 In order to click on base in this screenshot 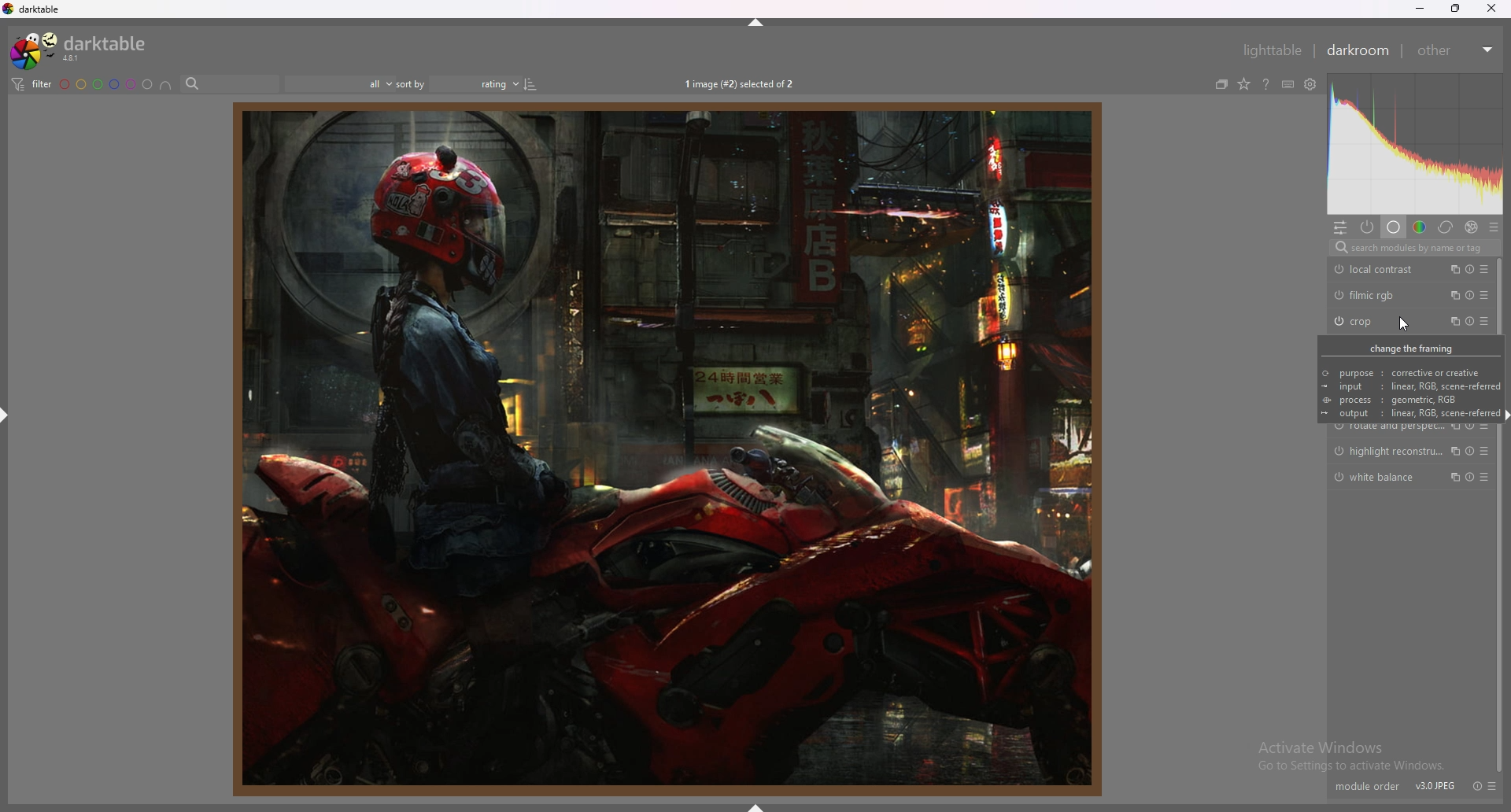, I will do `click(1395, 227)`.